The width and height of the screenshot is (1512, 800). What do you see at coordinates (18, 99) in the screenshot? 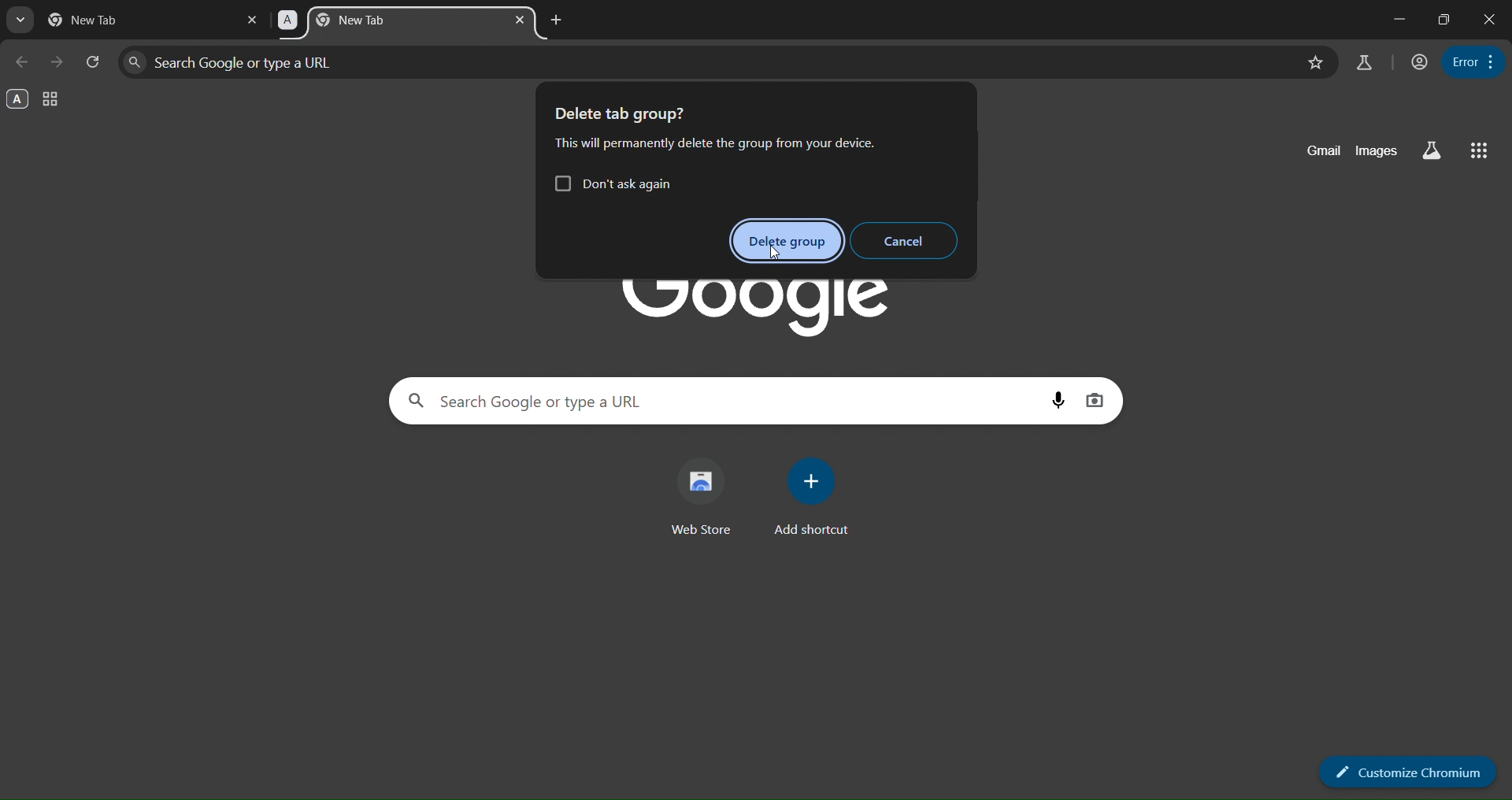
I see `A group- opened` at bounding box center [18, 99].